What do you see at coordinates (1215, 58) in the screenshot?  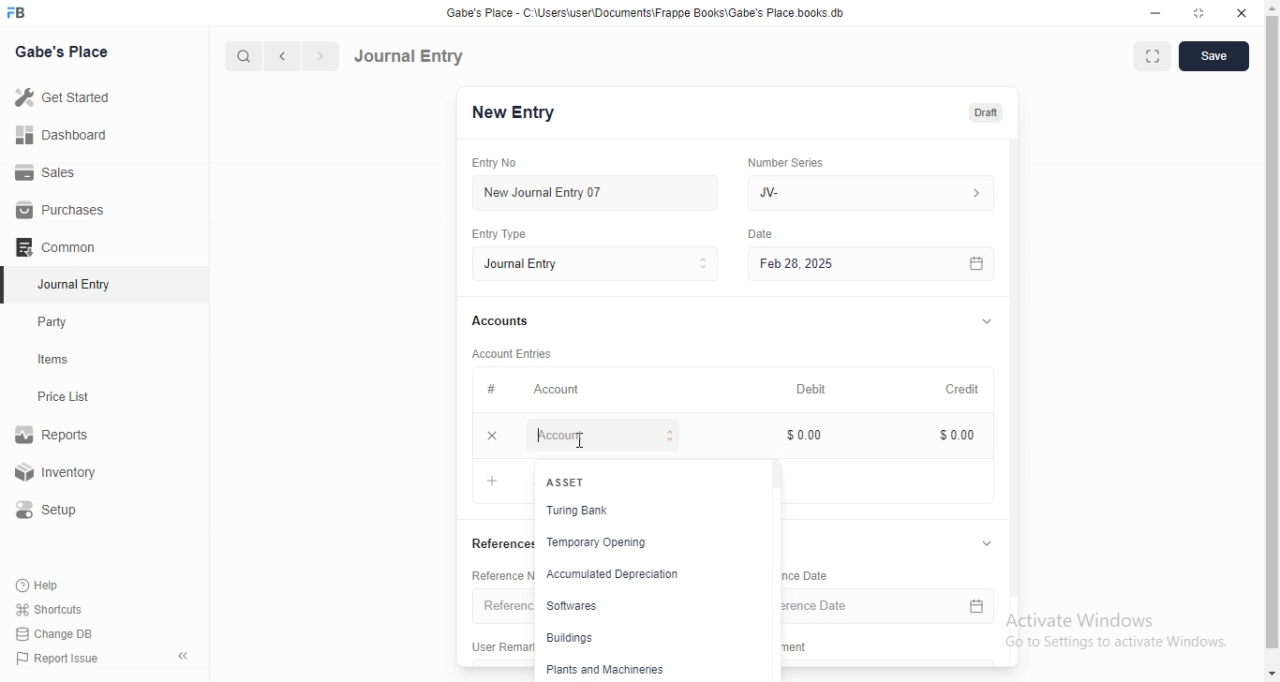 I see `save` at bounding box center [1215, 58].